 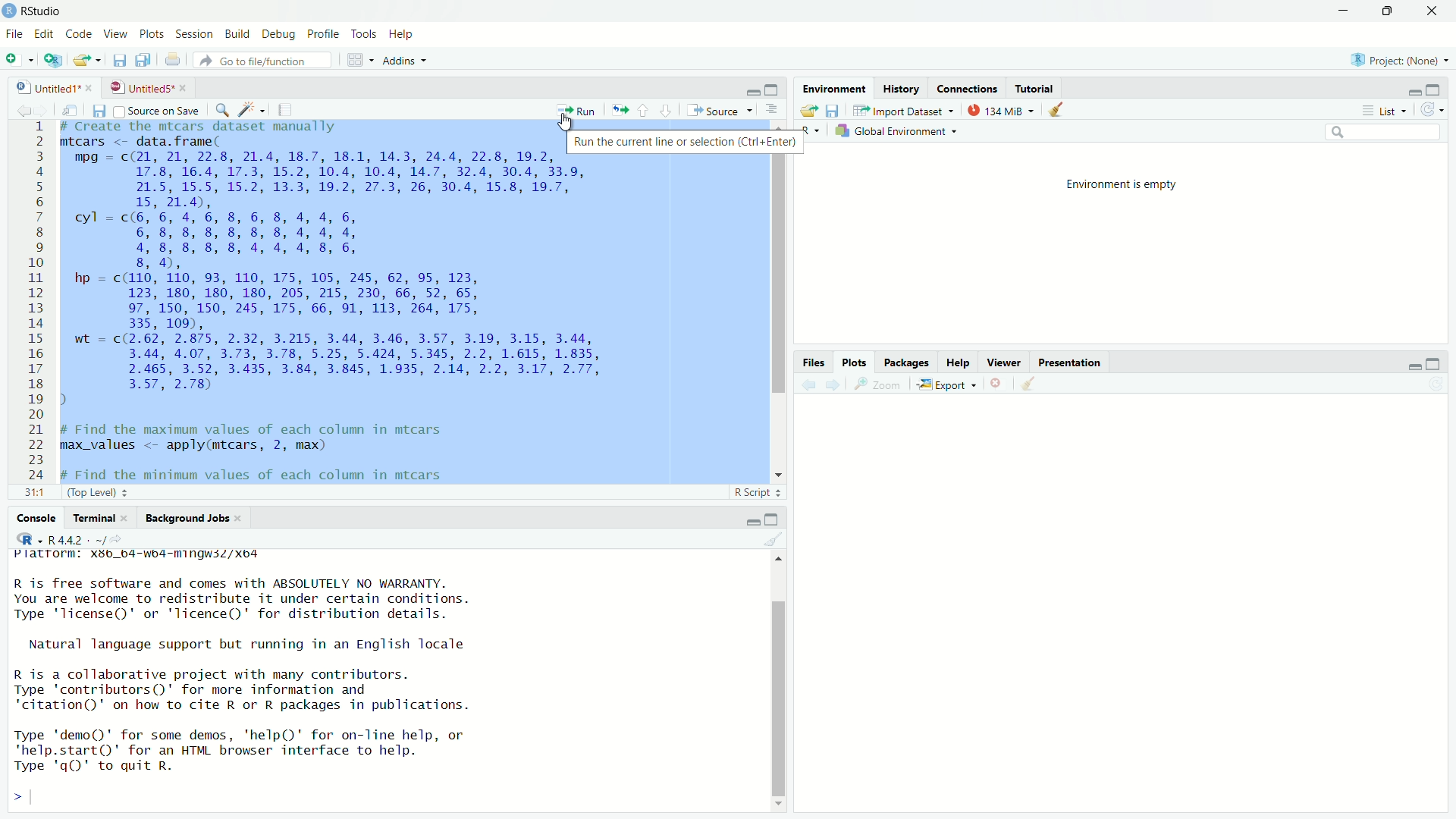 What do you see at coordinates (903, 362) in the screenshot?
I see `Packages` at bounding box center [903, 362].